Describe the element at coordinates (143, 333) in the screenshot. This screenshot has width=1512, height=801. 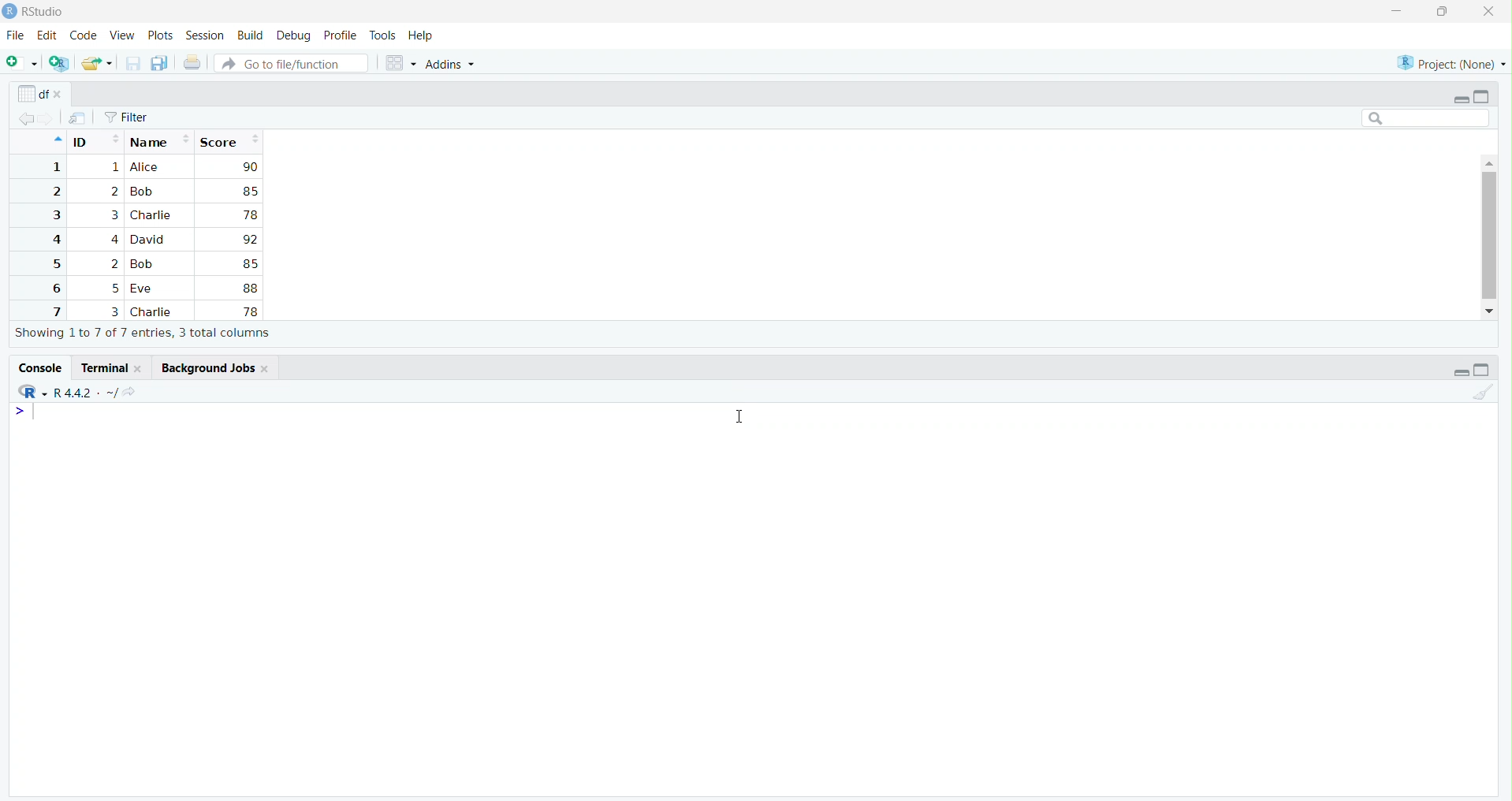
I see `Showing 1 to 7 of 7 entries, 3 total columns` at that location.